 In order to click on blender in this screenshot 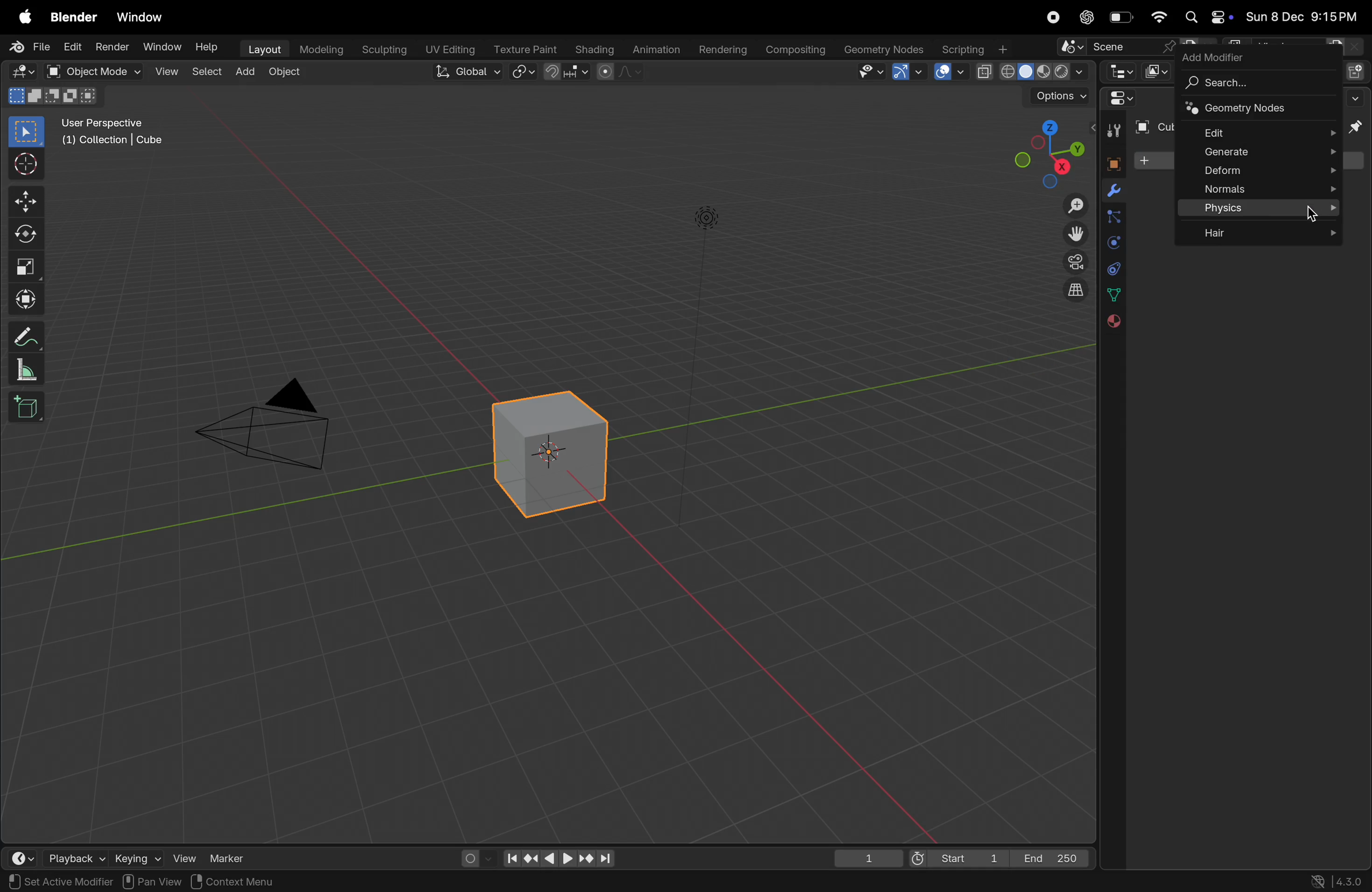, I will do `click(74, 17)`.